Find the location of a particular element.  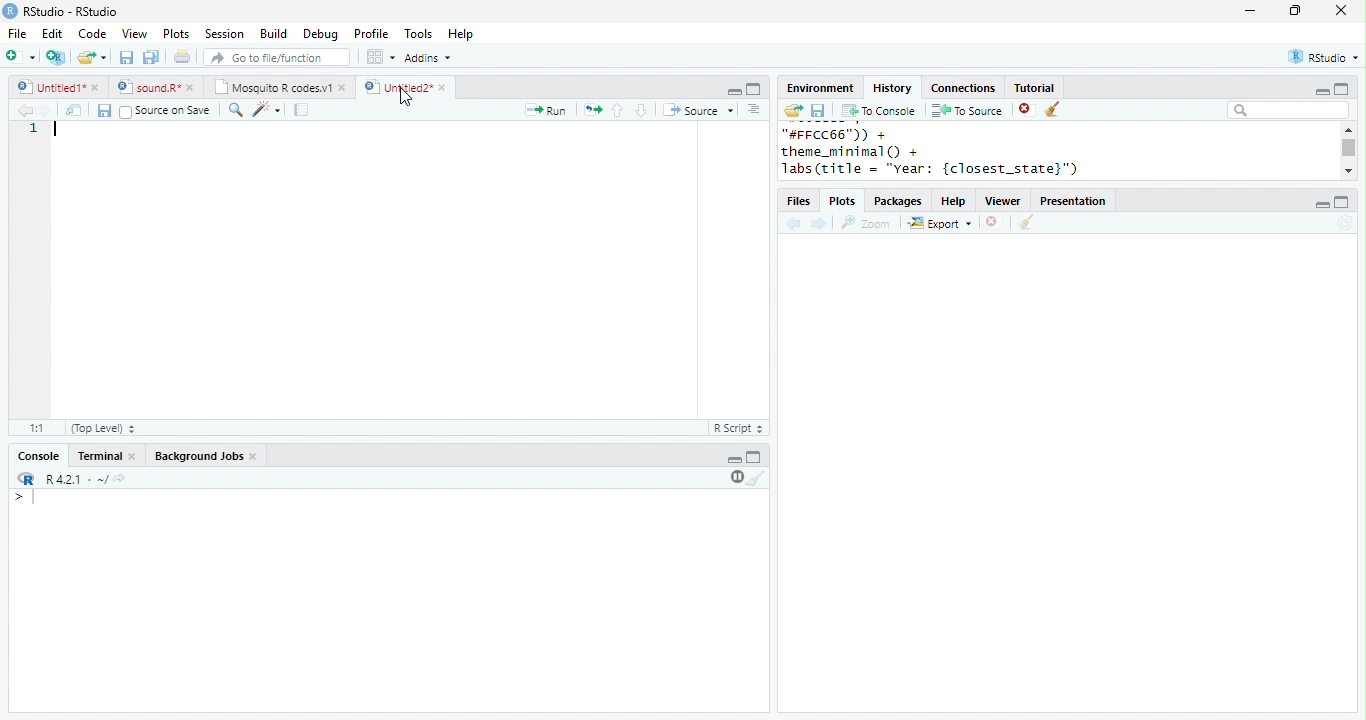

close file is located at coordinates (1027, 109).